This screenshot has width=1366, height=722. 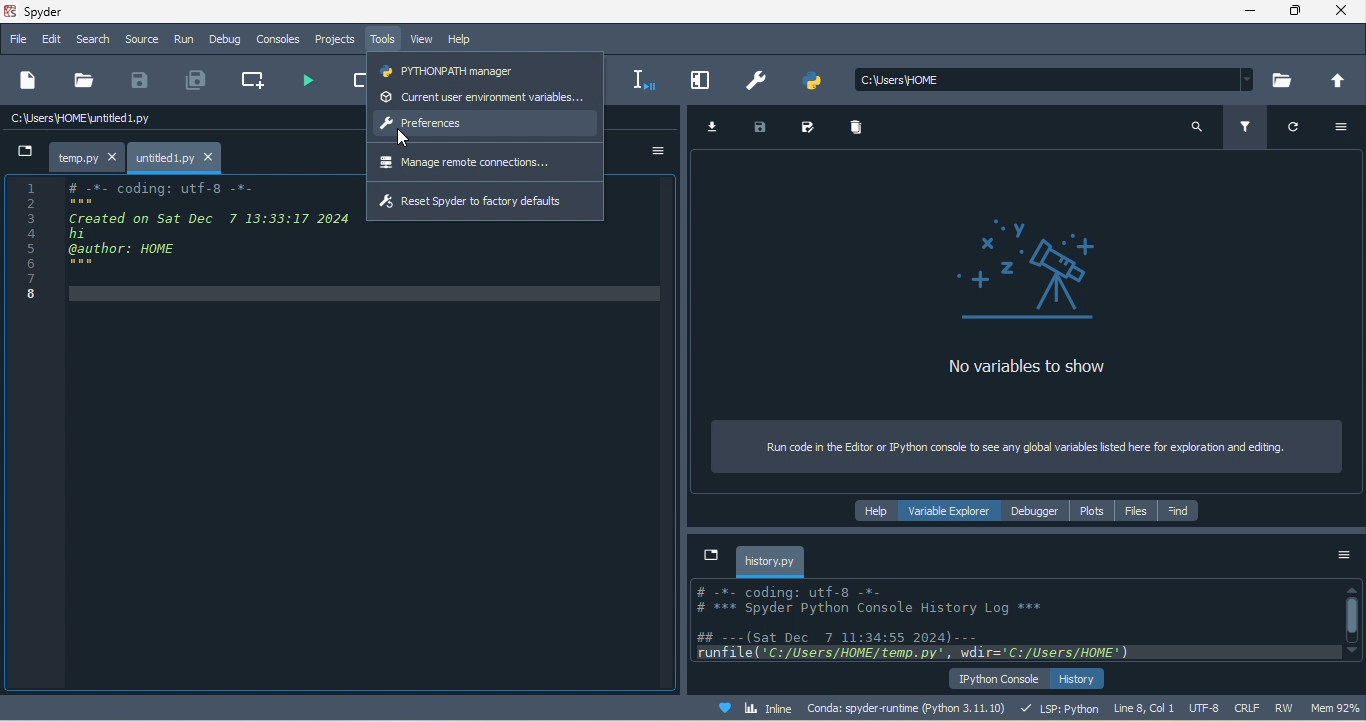 What do you see at coordinates (181, 238) in the screenshot?
I see `code in editor pane` at bounding box center [181, 238].